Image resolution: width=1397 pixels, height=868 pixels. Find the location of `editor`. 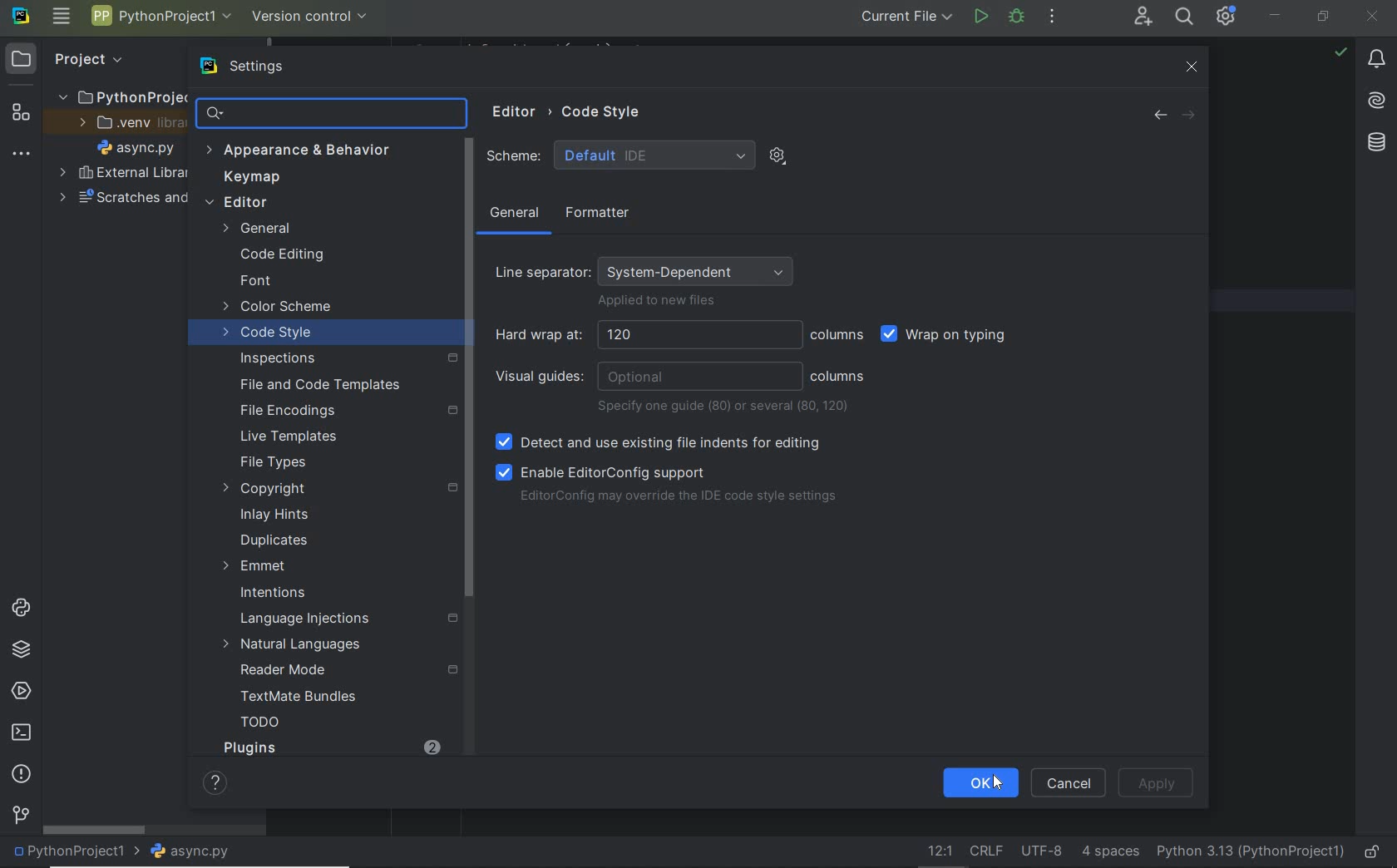

editor is located at coordinates (309, 204).